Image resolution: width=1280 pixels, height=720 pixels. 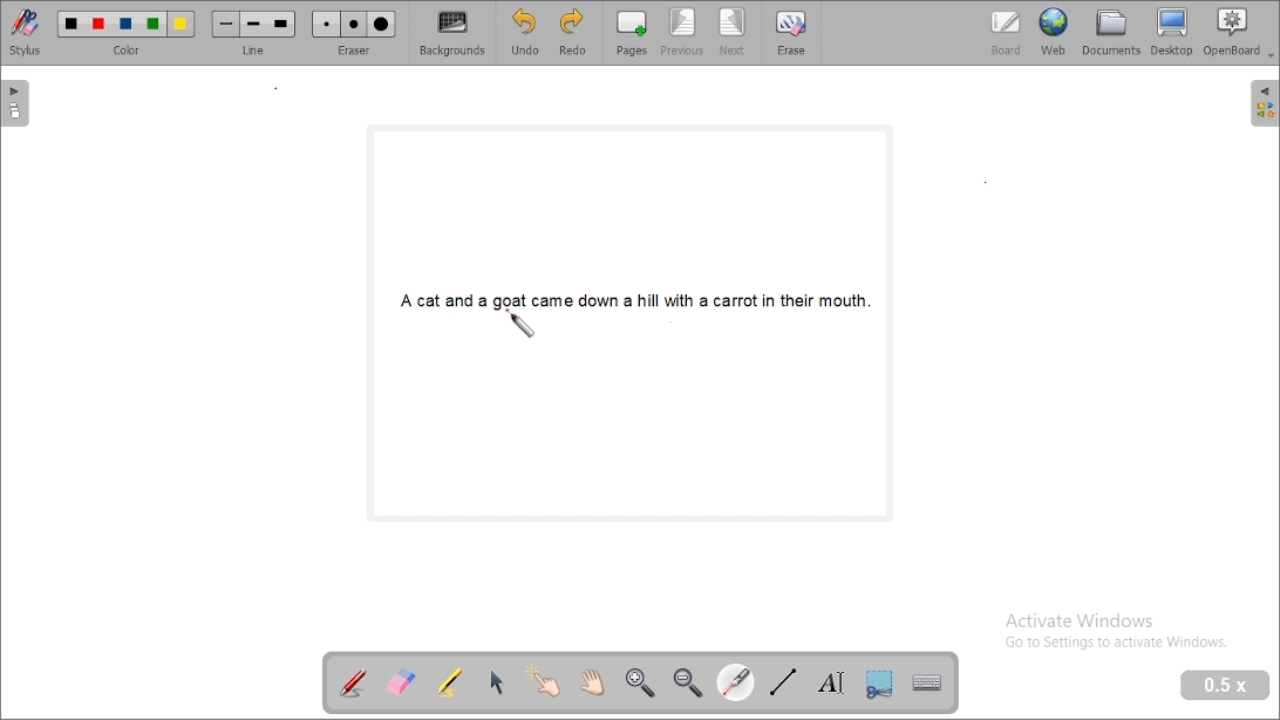 What do you see at coordinates (450, 681) in the screenshot?
I see `highlight` at bounding box center [450, 681].